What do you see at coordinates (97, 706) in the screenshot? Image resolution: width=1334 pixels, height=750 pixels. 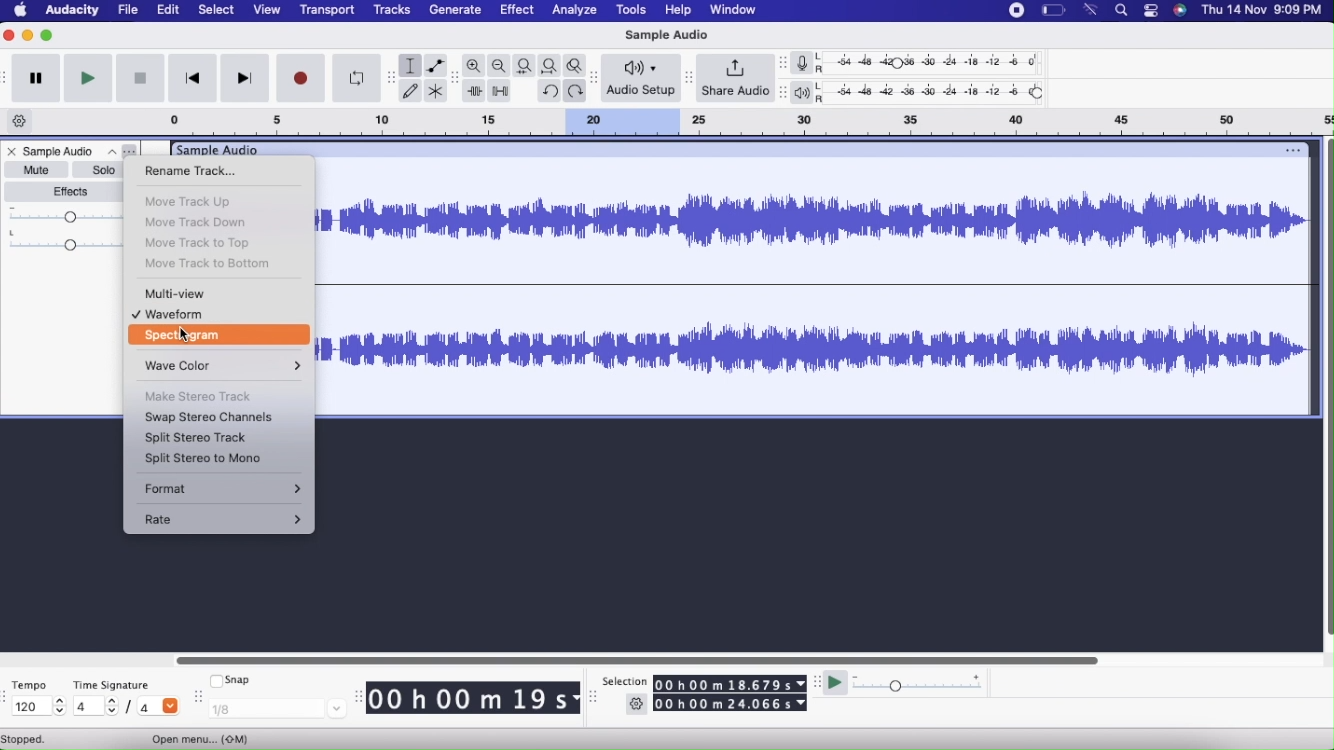 I see `4` at bounding box center [97, 706].